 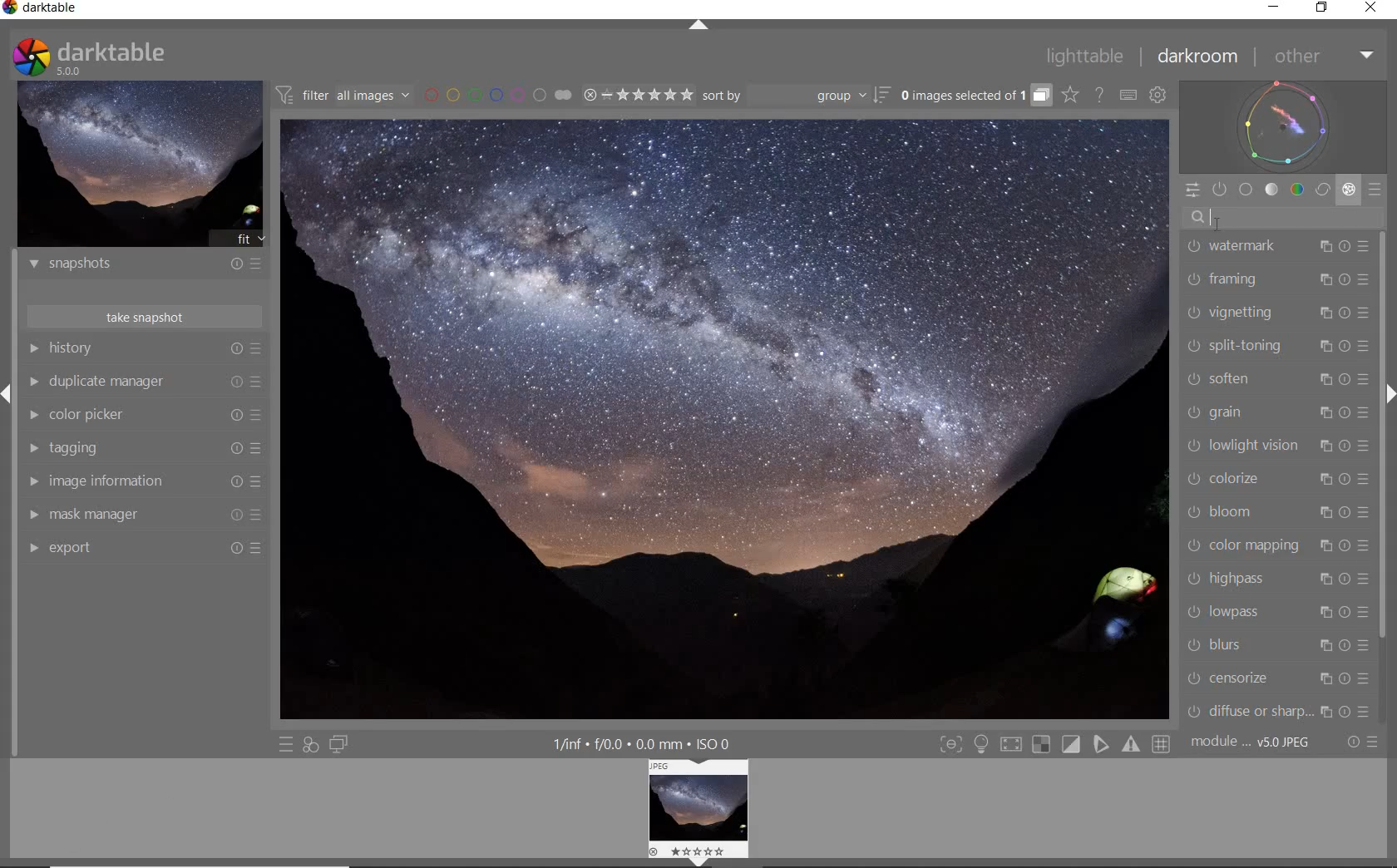 What do you see at coordinates (1323, 8) in the screenshot?
I see `RESTORE` at bounding box center [1323, 8].